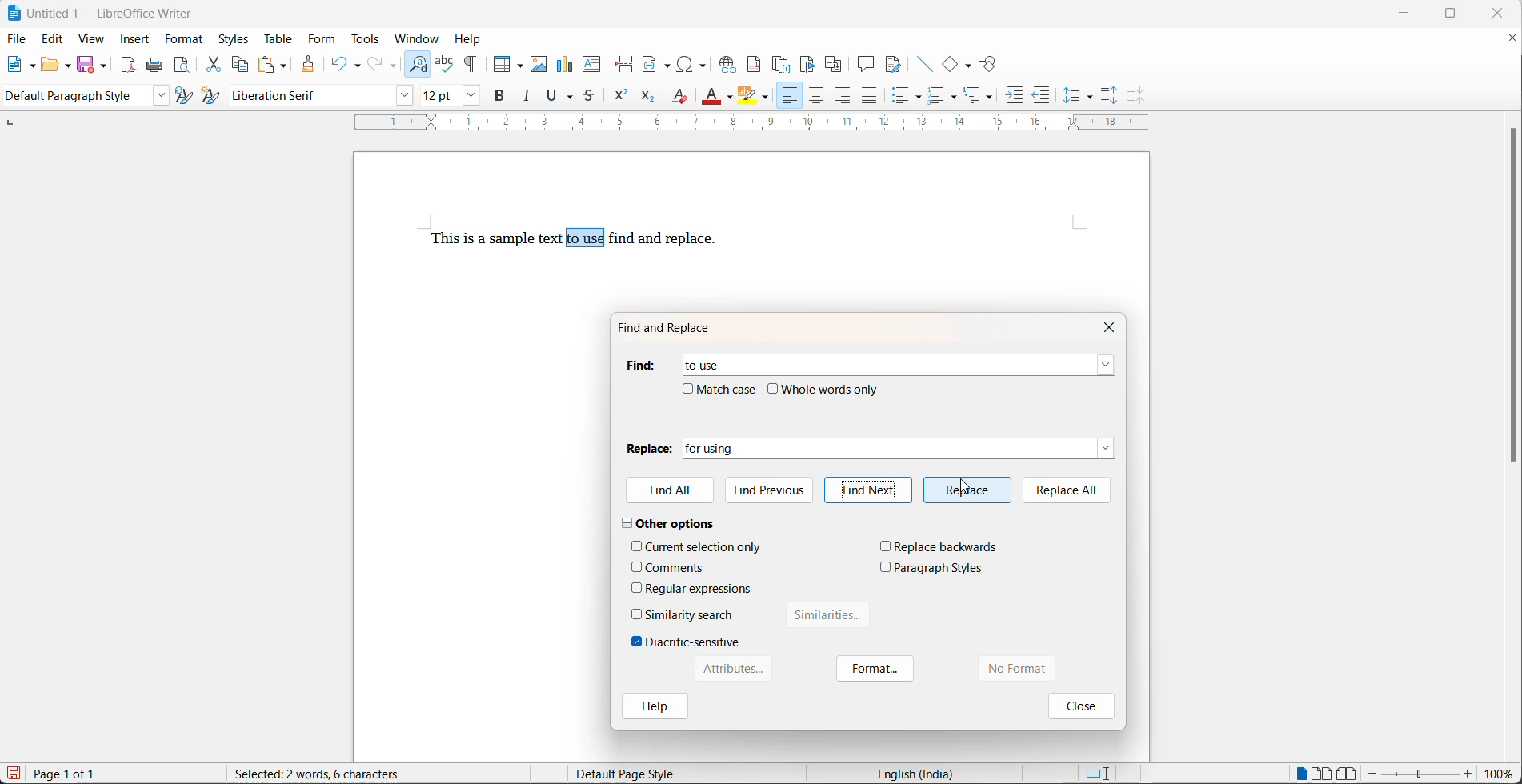 This screenshot has width=1522, height=784. I want to click on toggle unordered list, so click(904, 98).